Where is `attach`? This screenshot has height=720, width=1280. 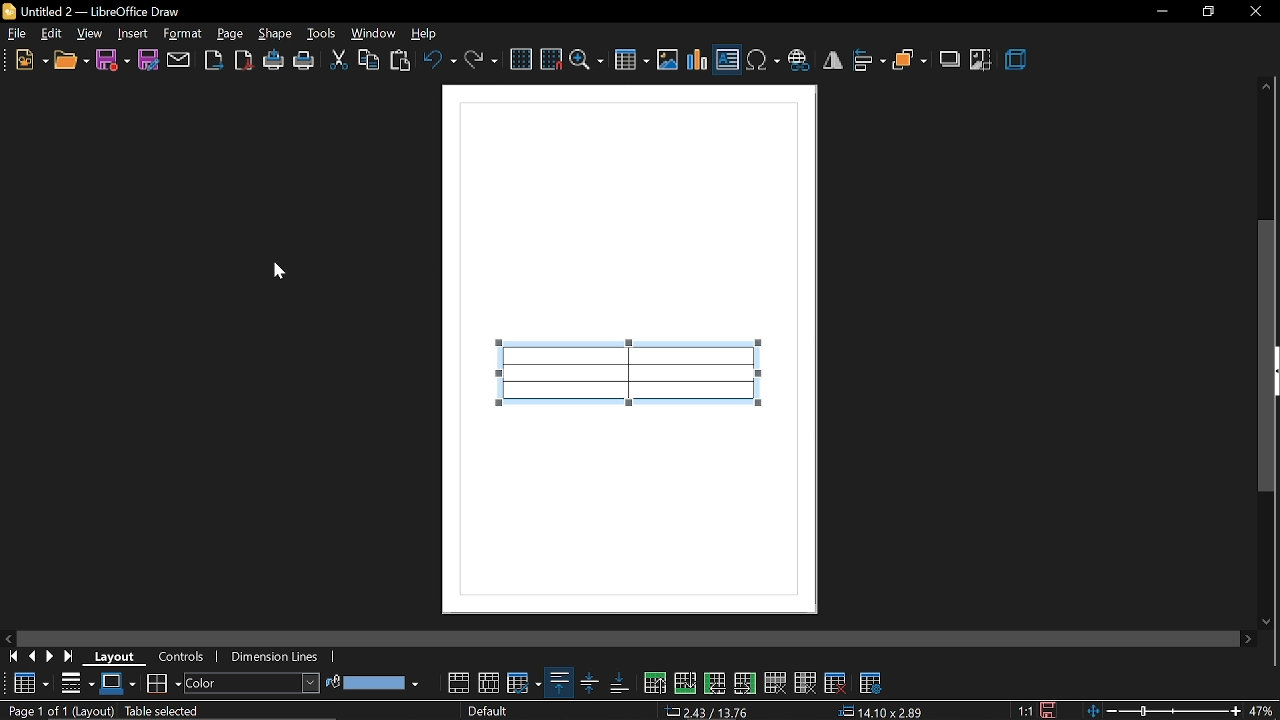 attach is located at coordinates (178, 60).